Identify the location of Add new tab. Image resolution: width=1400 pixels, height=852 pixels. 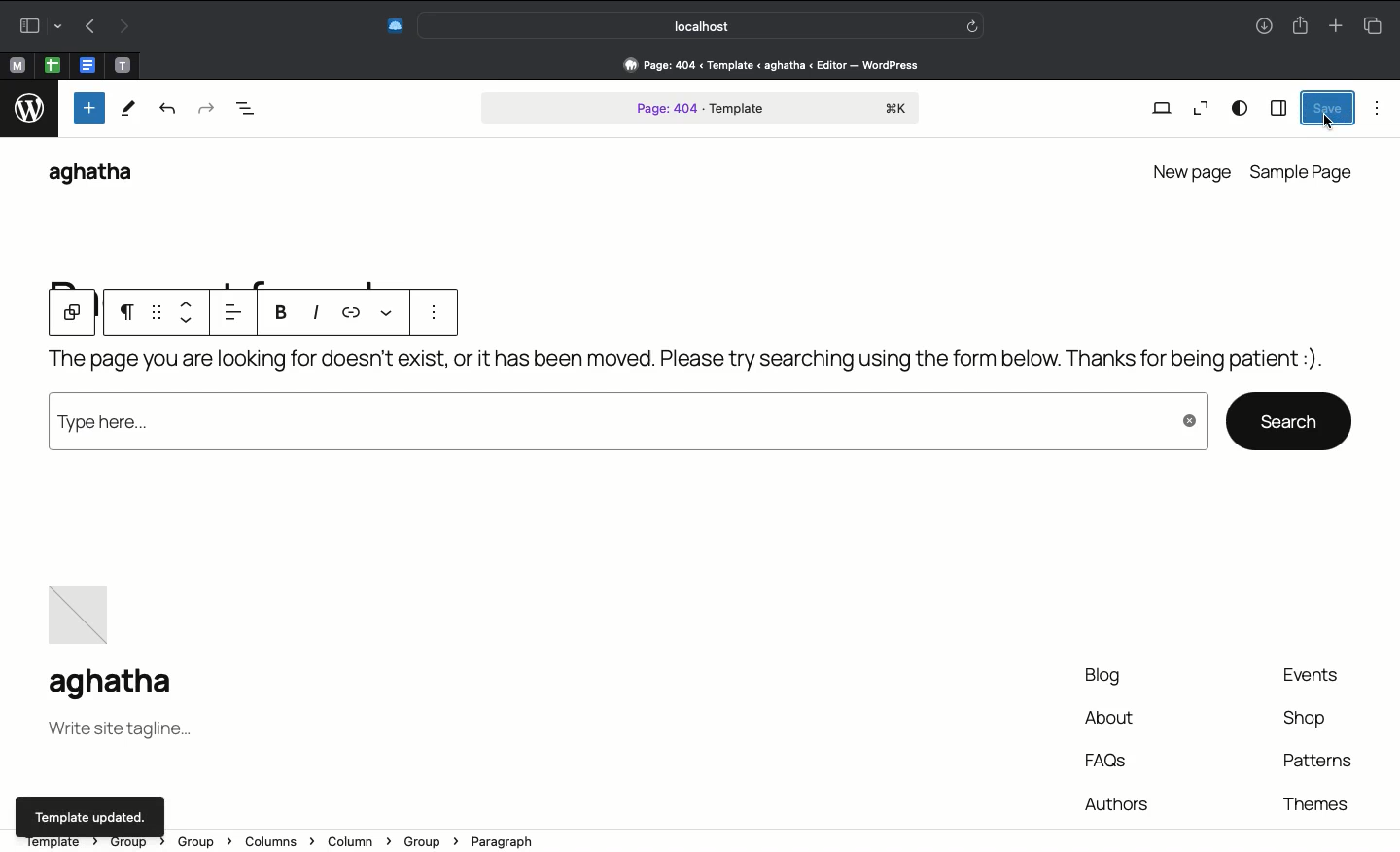
(1335, 22).